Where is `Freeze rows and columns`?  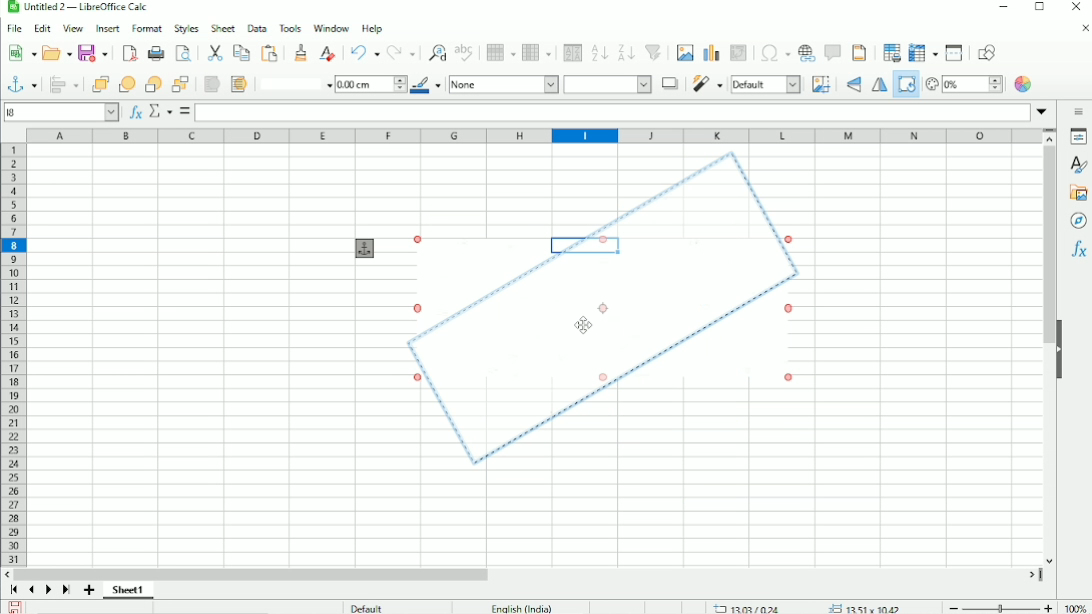 Freeze rows and columns is located at coordinates (923, 53).